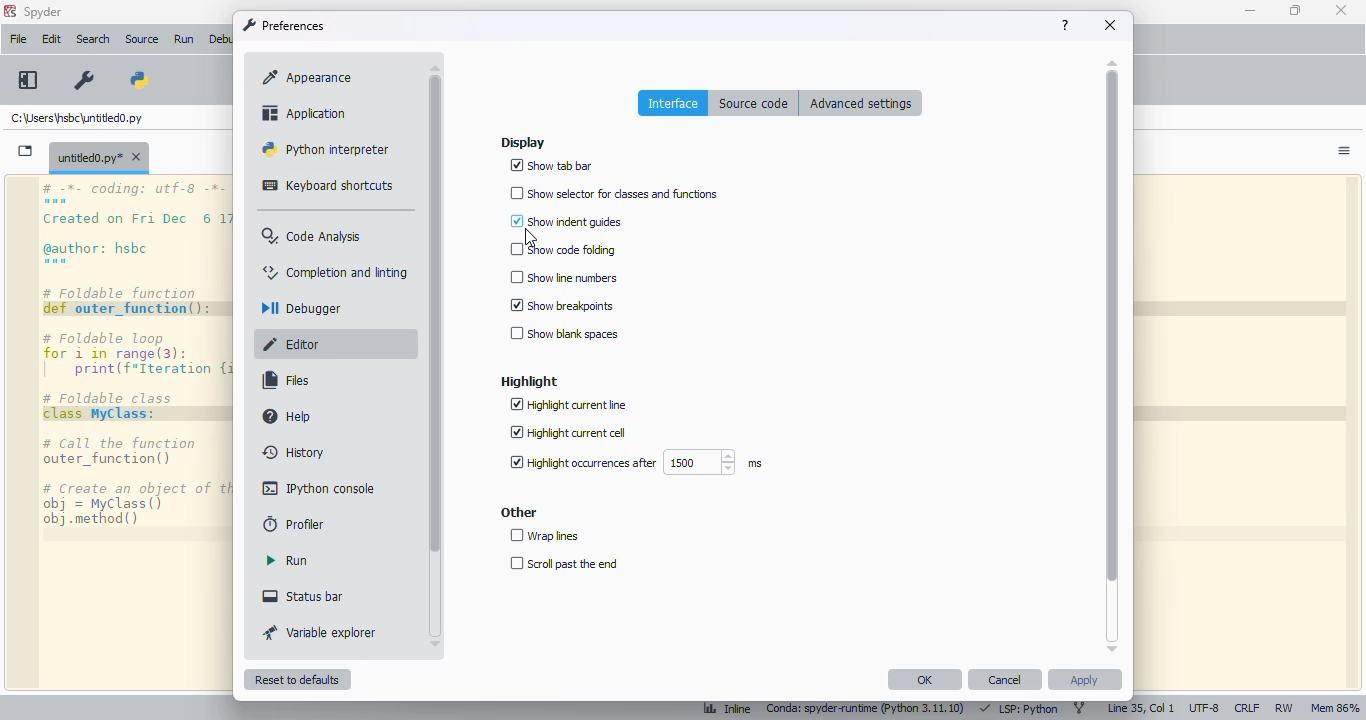 The width and height of the screenshot is (1366, 720). I want to click on appearance, so click(309, 77).